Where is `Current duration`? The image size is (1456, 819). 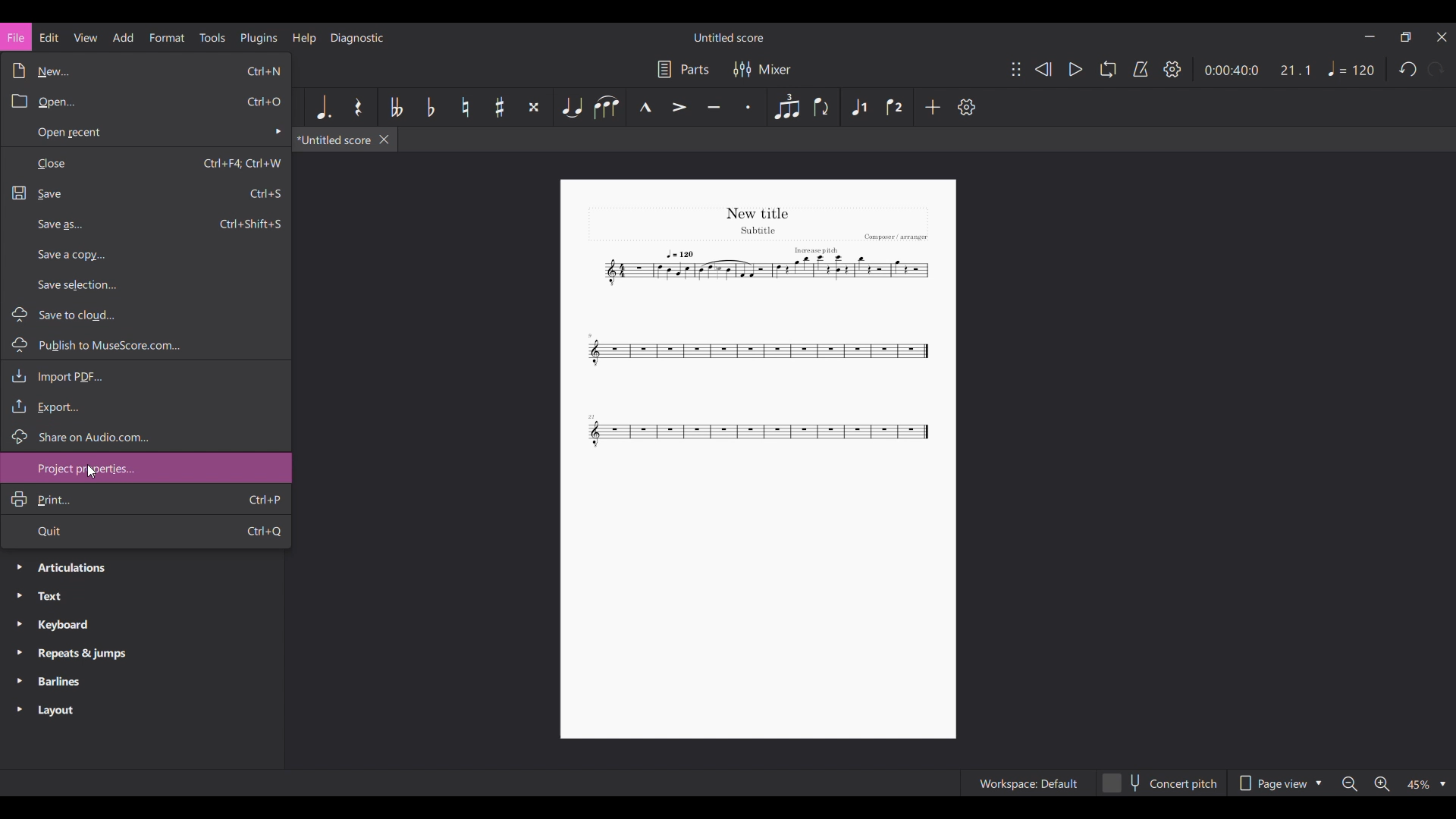 Current duration is located at coordinates (1232, 70).